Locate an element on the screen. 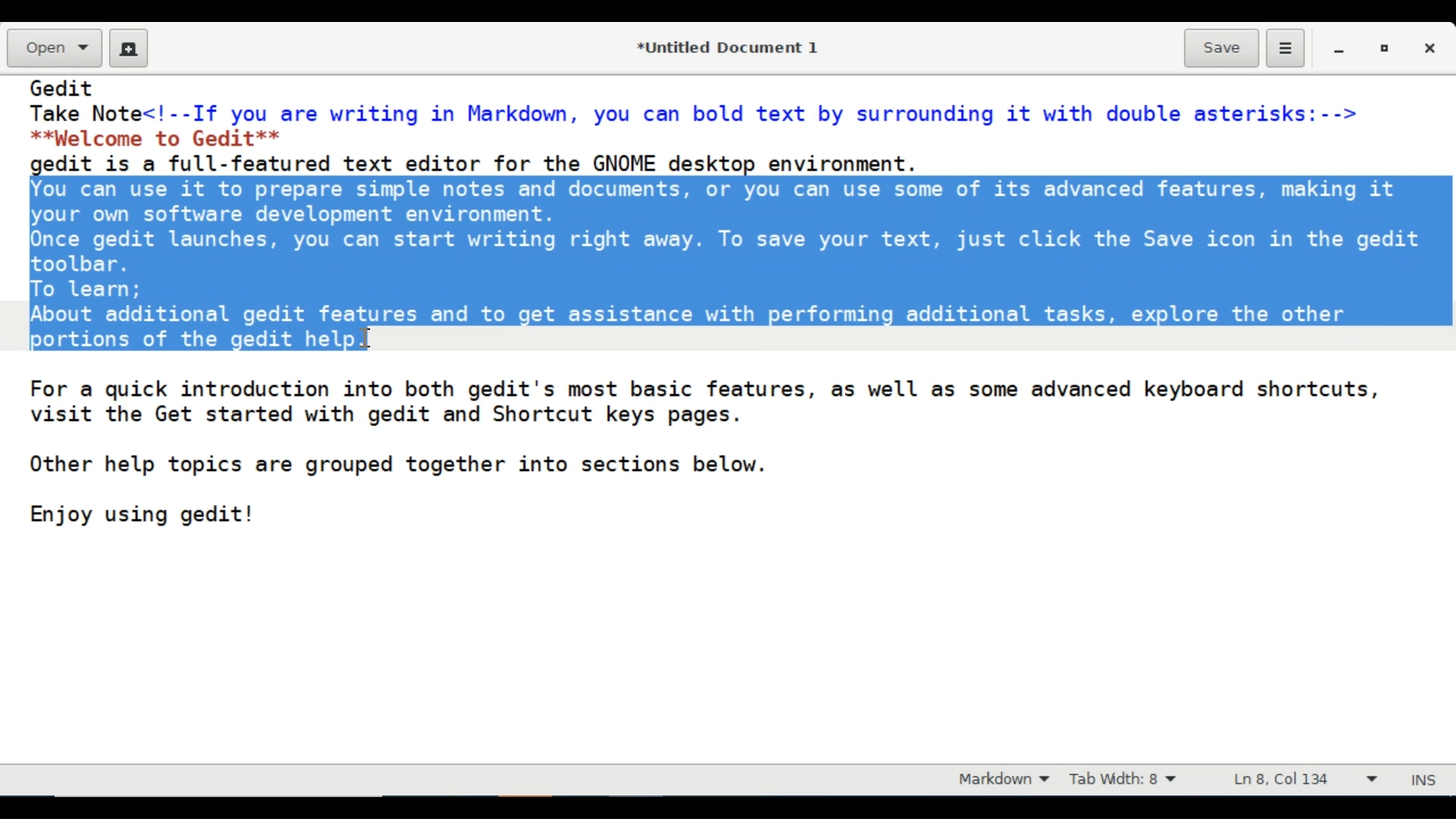 The height and width of the screenshot is (819, 1456). Line & Column Preference is located at coordinates (1305, 783).